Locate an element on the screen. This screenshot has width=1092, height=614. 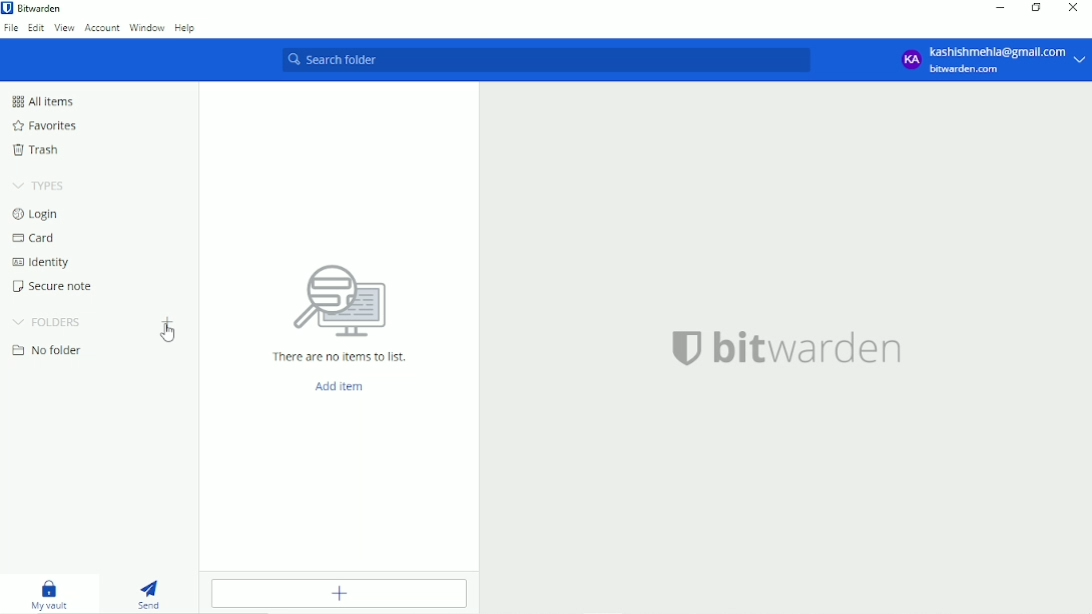
Window is located at coordinates (148, 29).